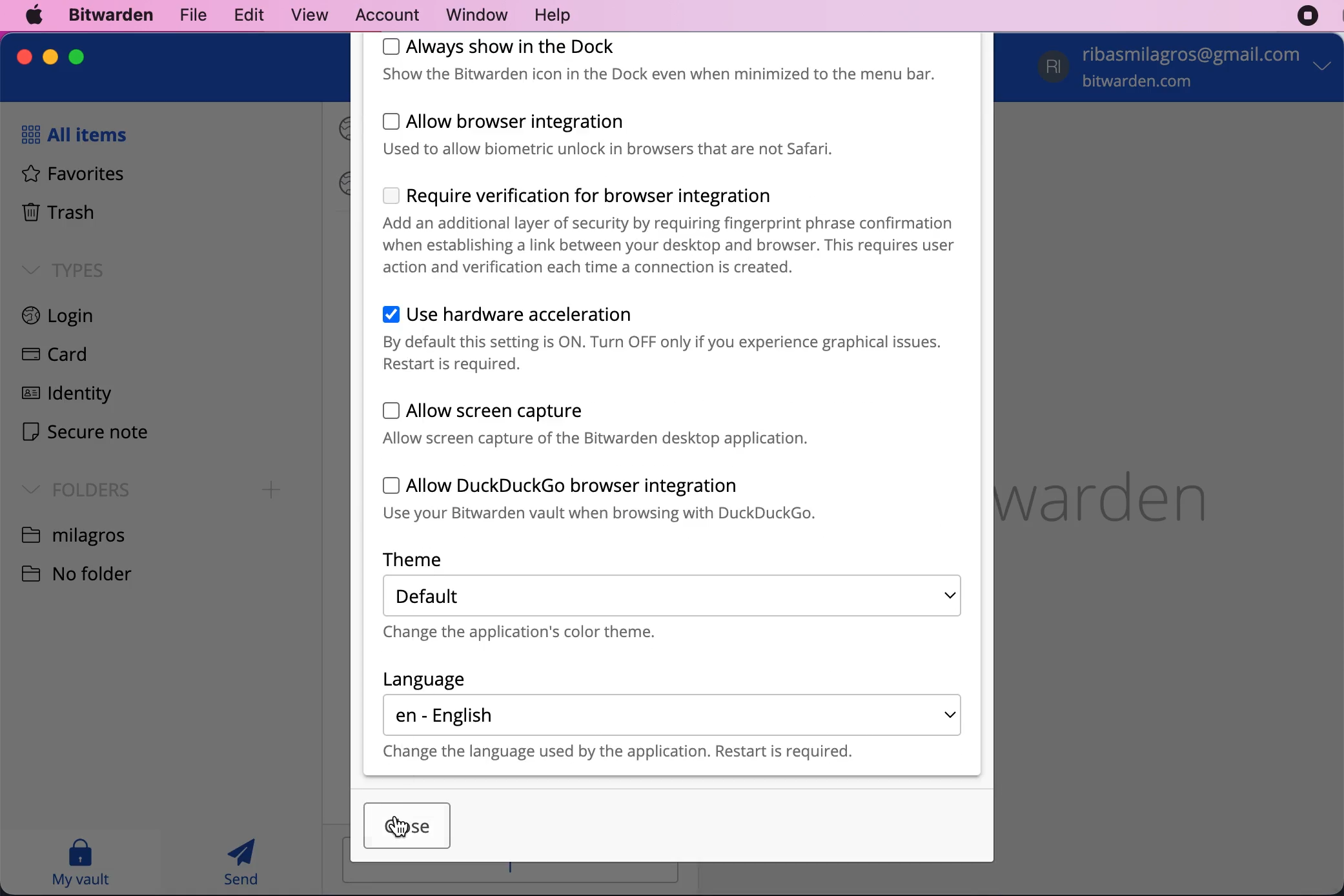 The width and height of the screenshot is (1344, 896). I want to click on edit, so click(245, 14).